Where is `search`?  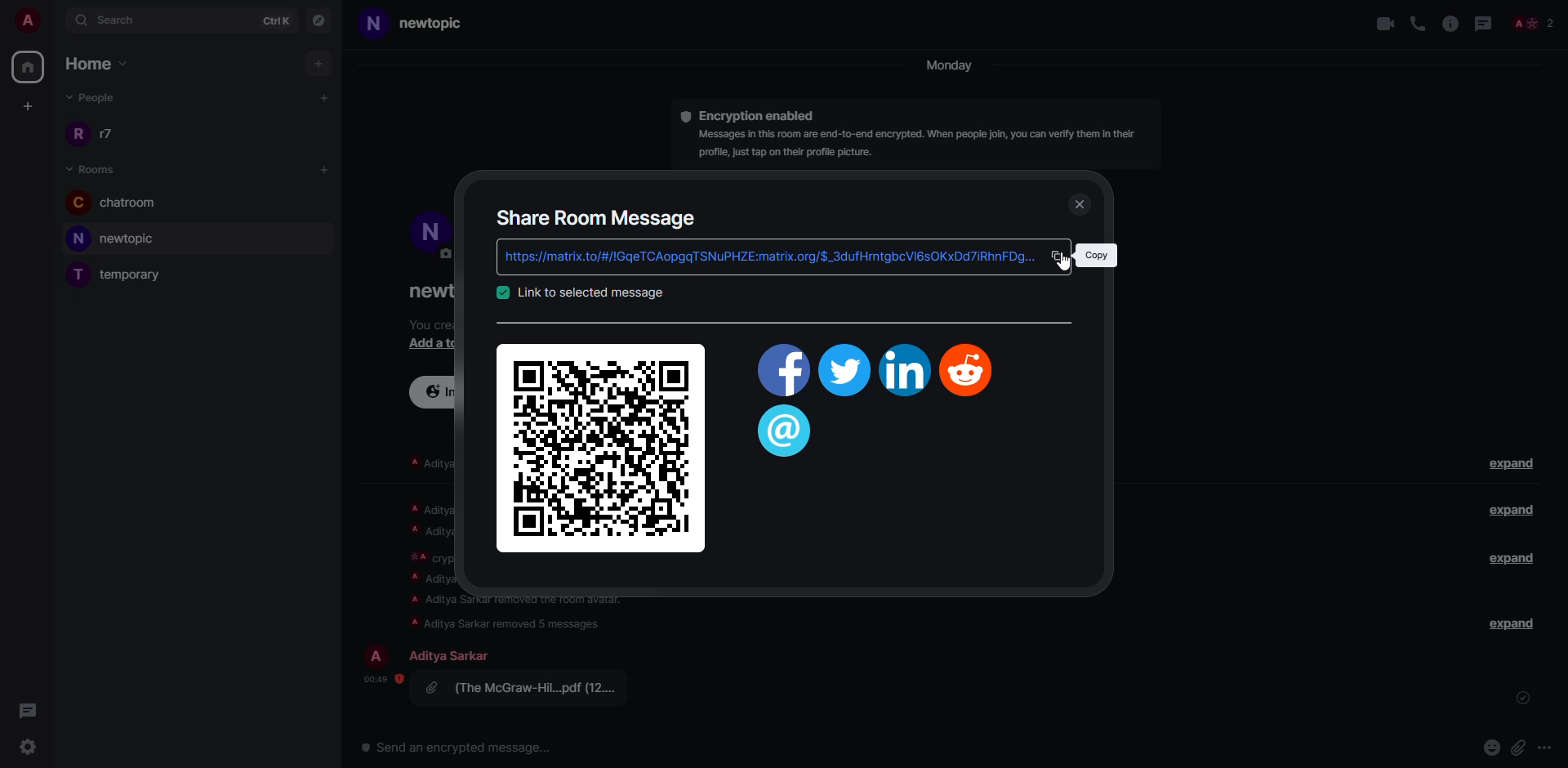 search is located at coordinates (109, 19).